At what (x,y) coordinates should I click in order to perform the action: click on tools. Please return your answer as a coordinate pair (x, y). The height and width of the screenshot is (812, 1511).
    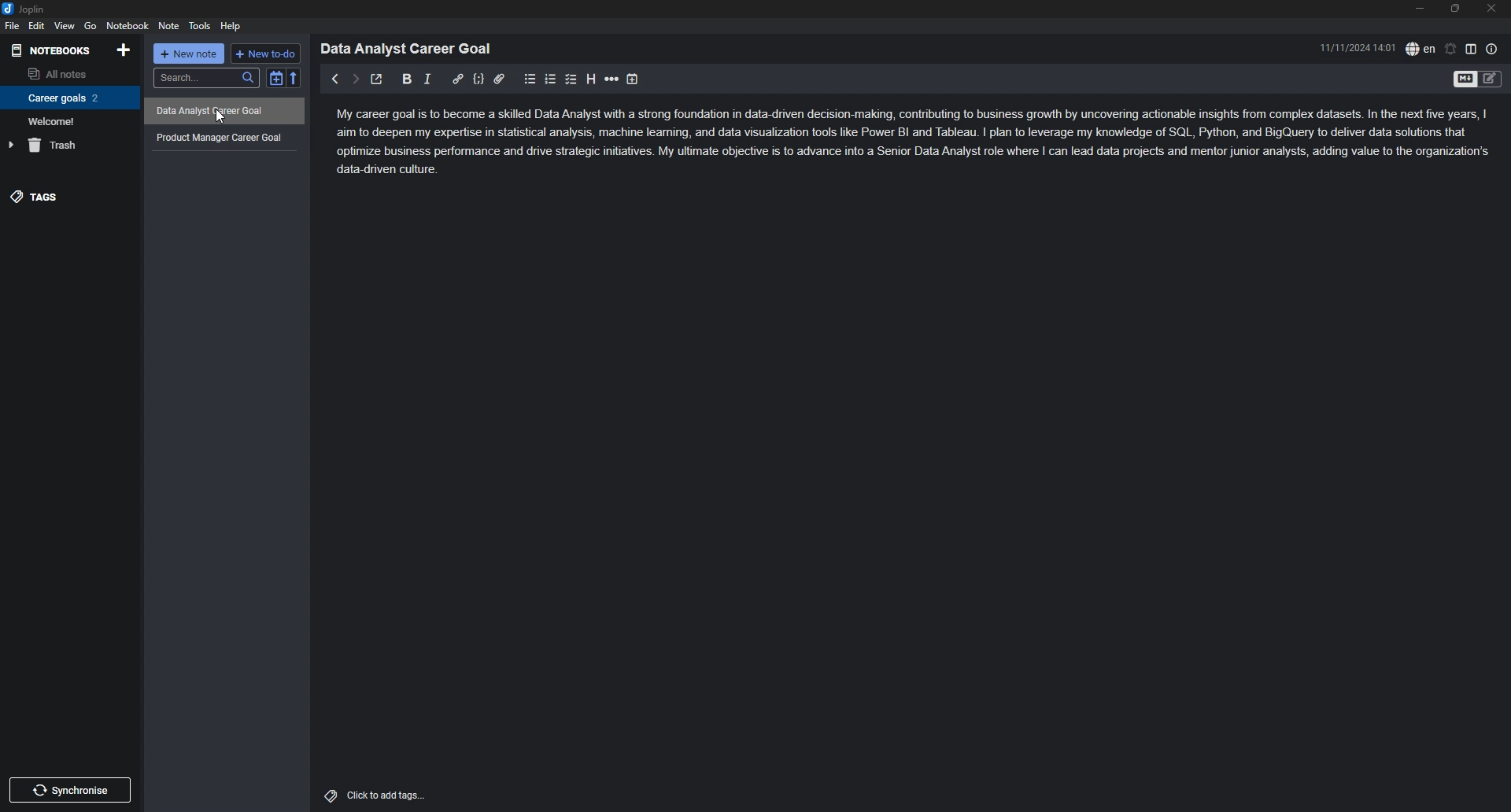
    Looking at the image, I should click on (200, 26).